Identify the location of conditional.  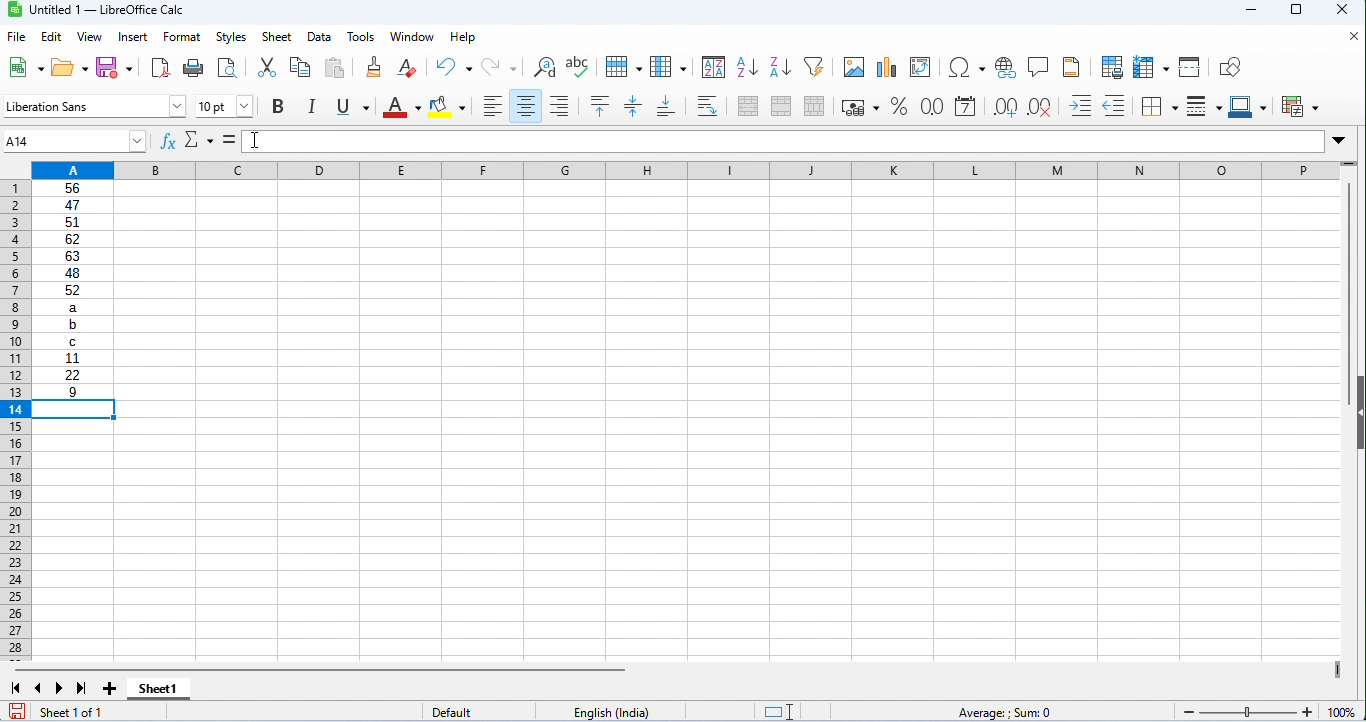
(1299, 105).